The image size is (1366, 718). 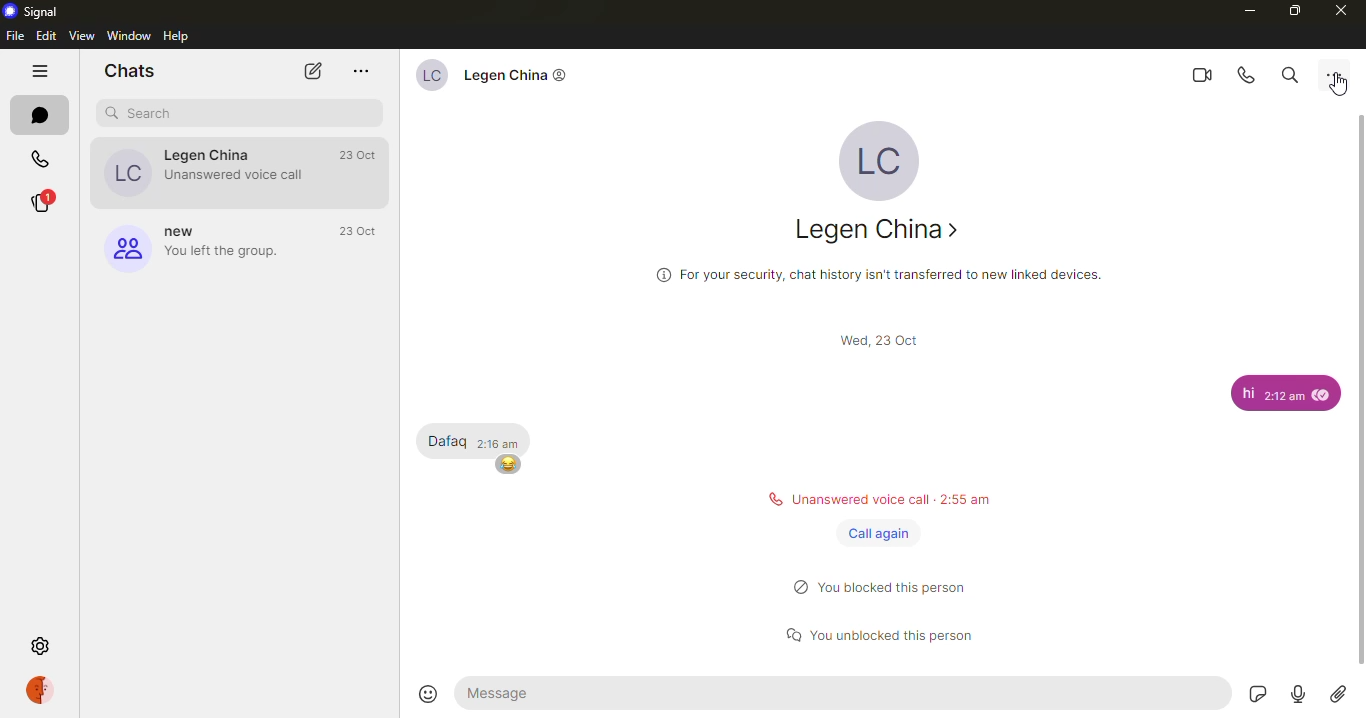 I want to click on voice call, so click(x=1246, y=75).